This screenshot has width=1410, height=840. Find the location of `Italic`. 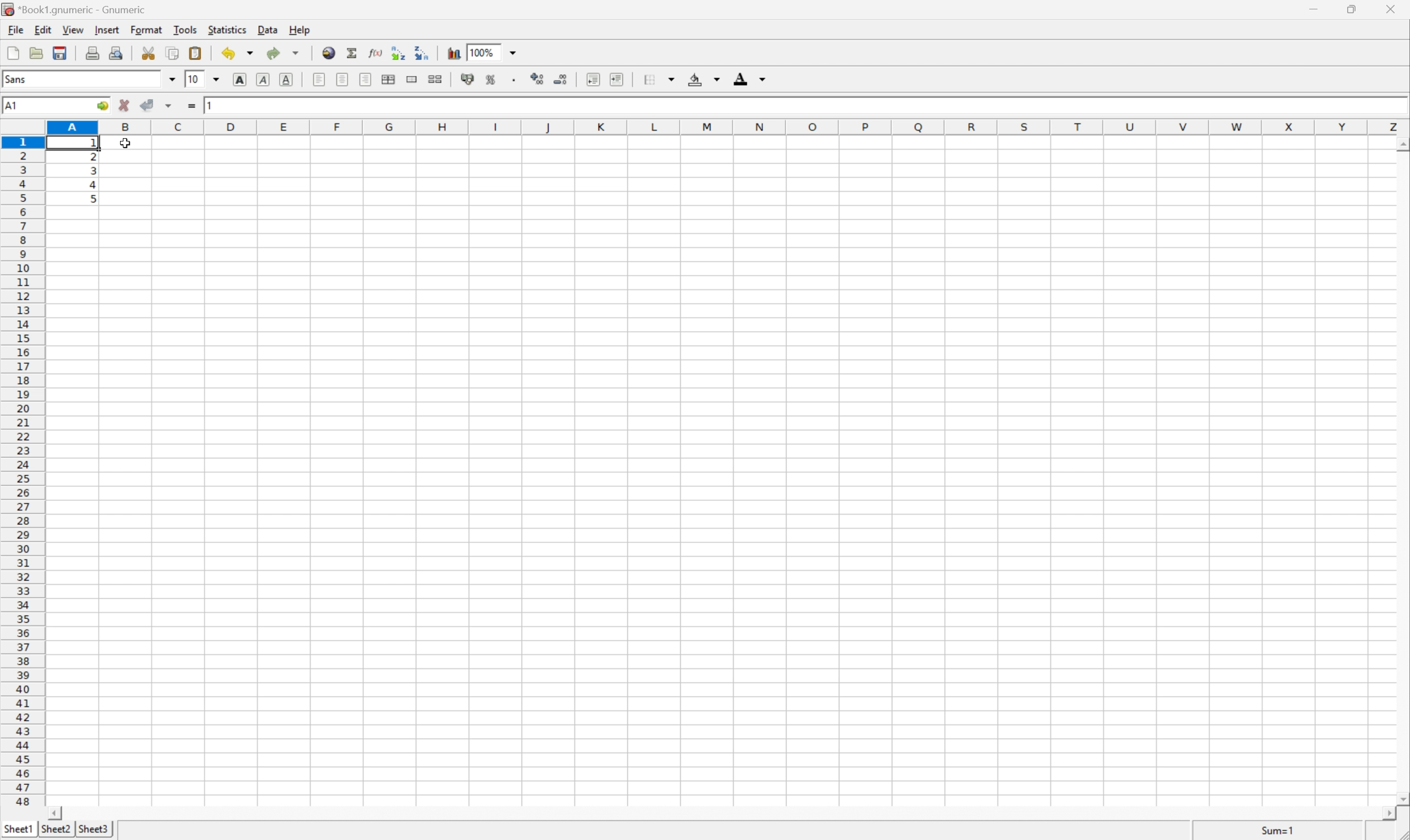

Italic is located at coordinates (261, 80).